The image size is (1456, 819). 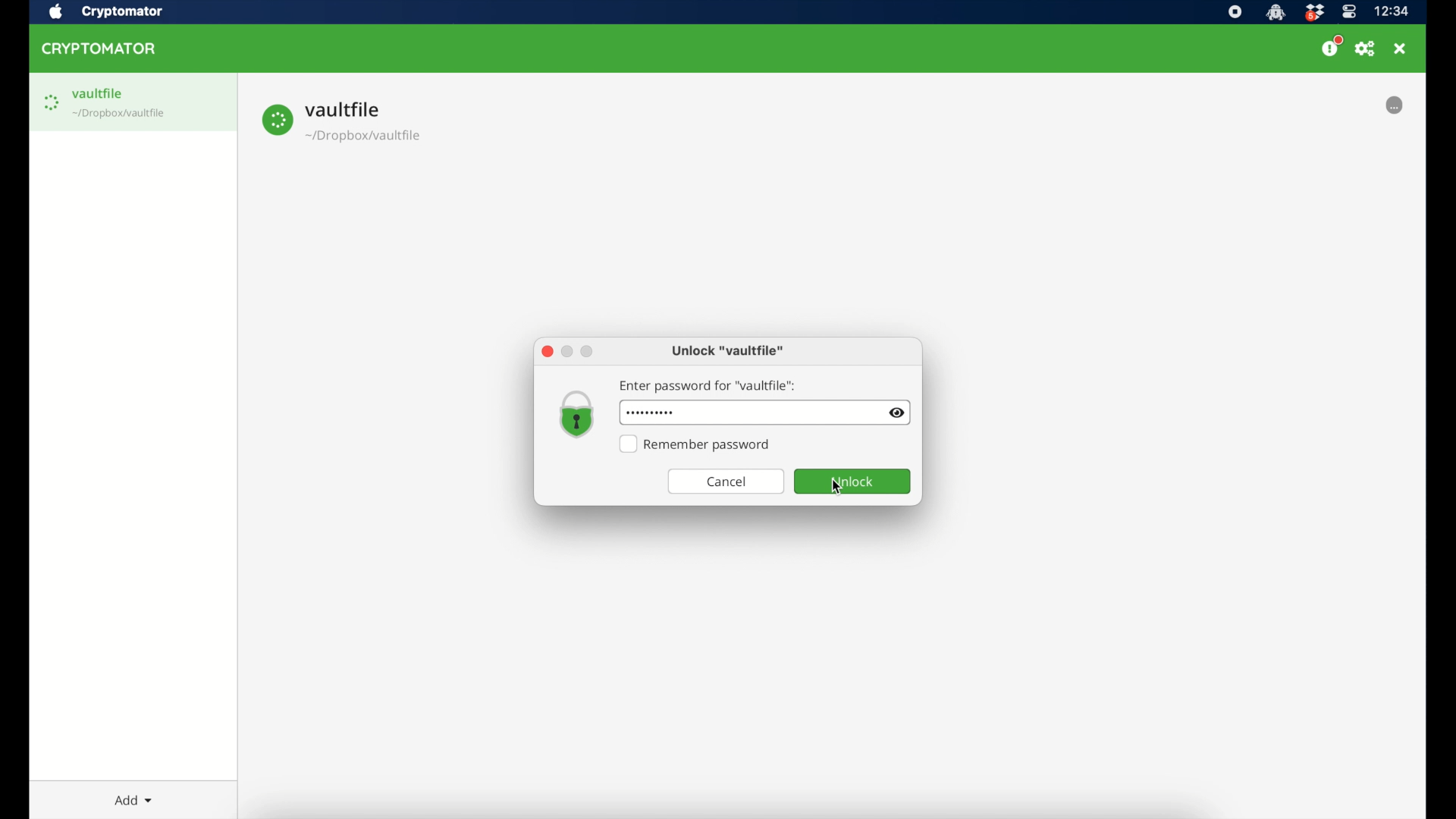 I want to click on preferences, so click(x=1366, y=49).